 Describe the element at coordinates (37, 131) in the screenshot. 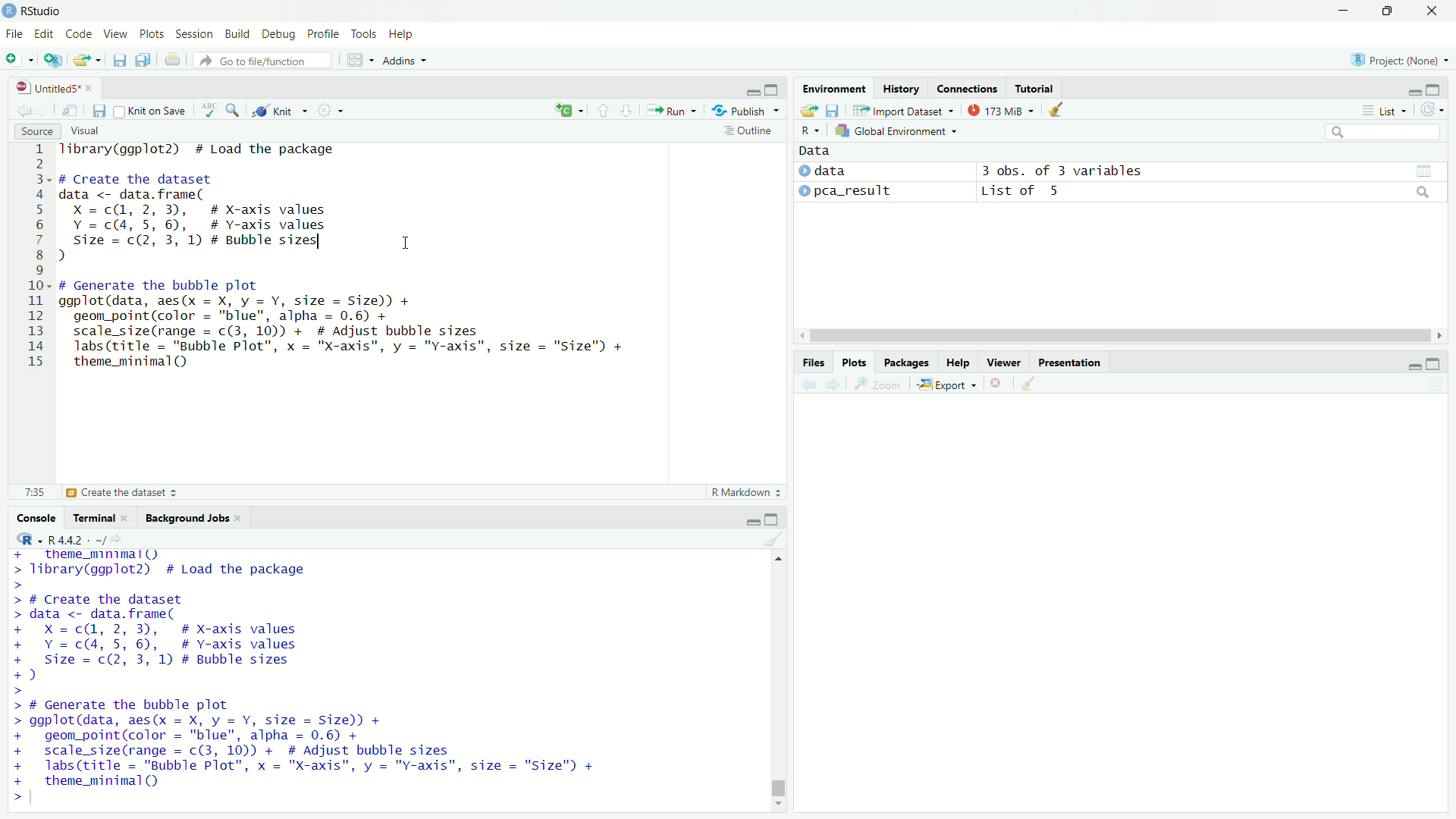

I see `source` at that location.